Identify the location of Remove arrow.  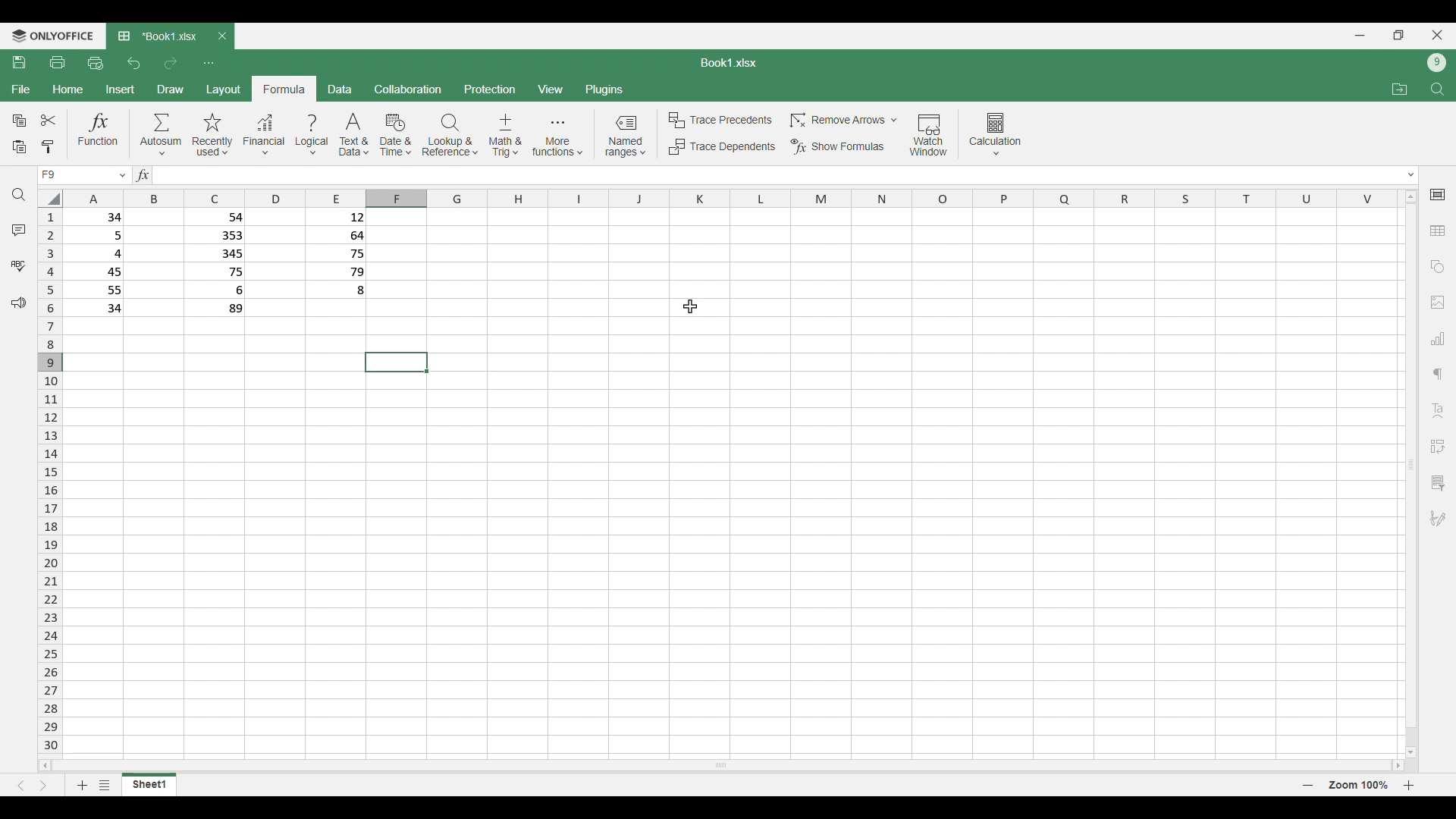
(842, 121).